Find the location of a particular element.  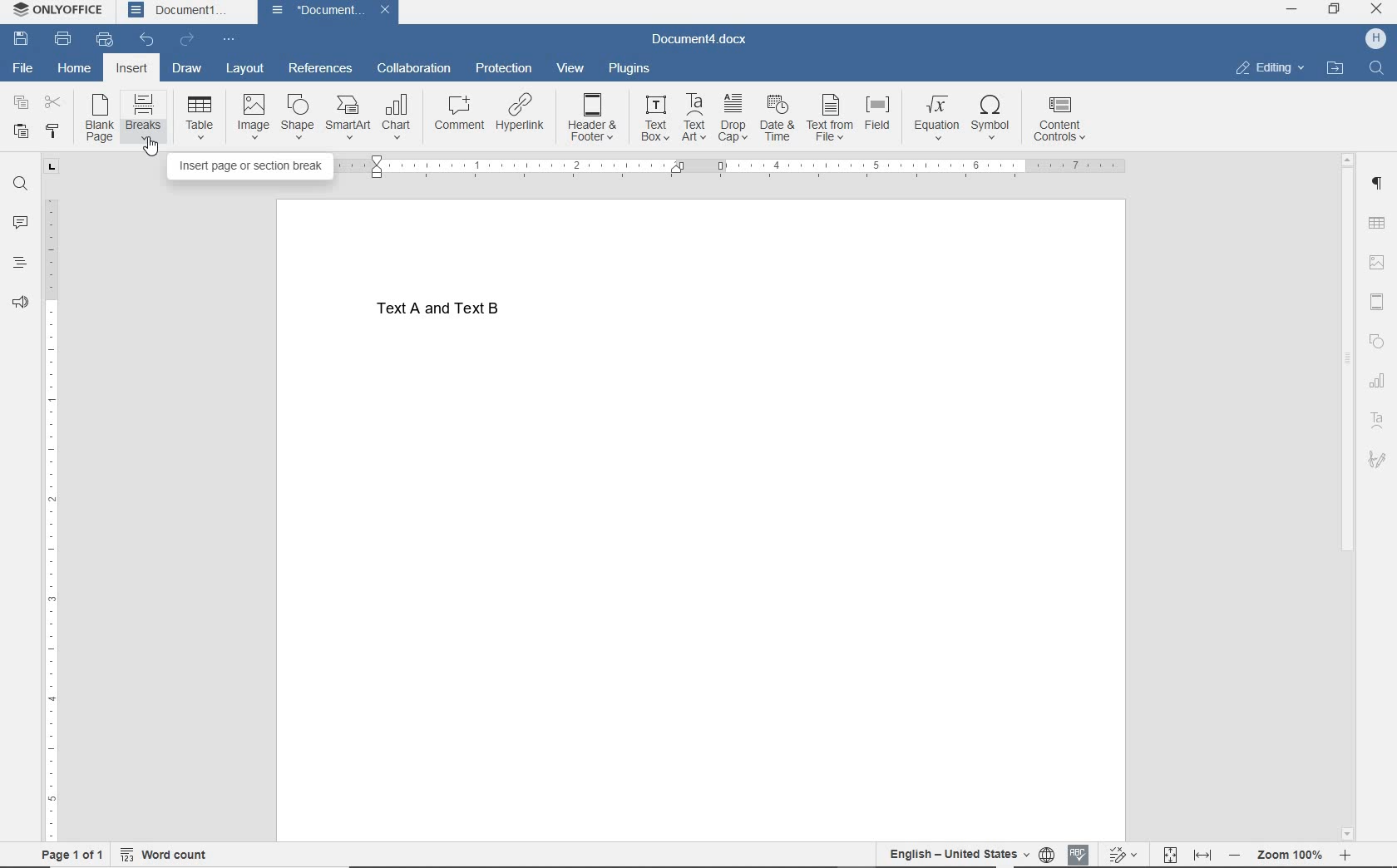

RULER is located at coordinates (54, 520).